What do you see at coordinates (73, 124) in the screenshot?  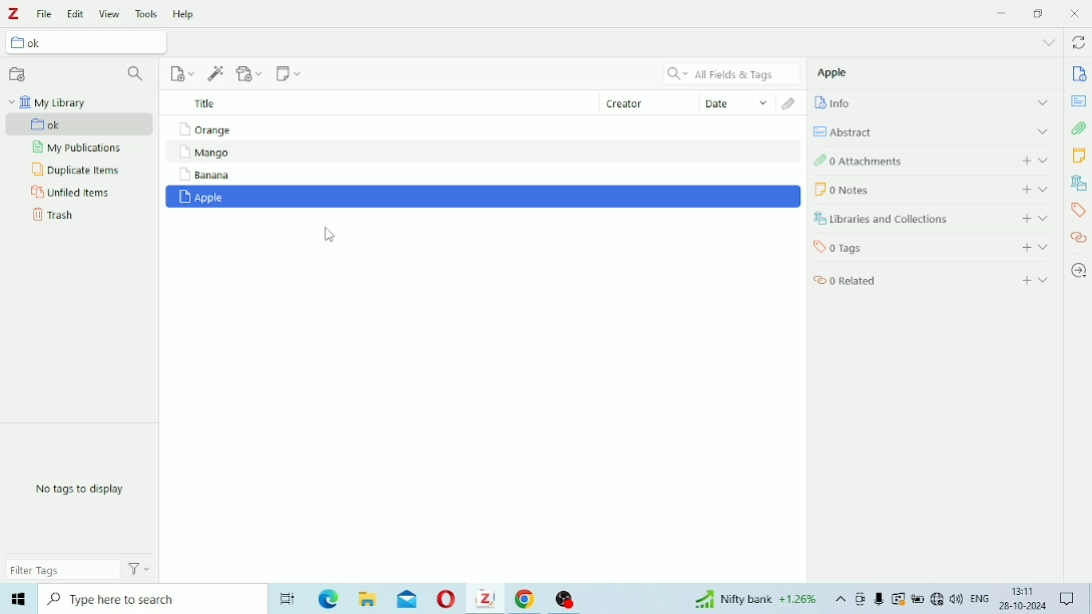 I see `ok` at bounding box center [73, 124].